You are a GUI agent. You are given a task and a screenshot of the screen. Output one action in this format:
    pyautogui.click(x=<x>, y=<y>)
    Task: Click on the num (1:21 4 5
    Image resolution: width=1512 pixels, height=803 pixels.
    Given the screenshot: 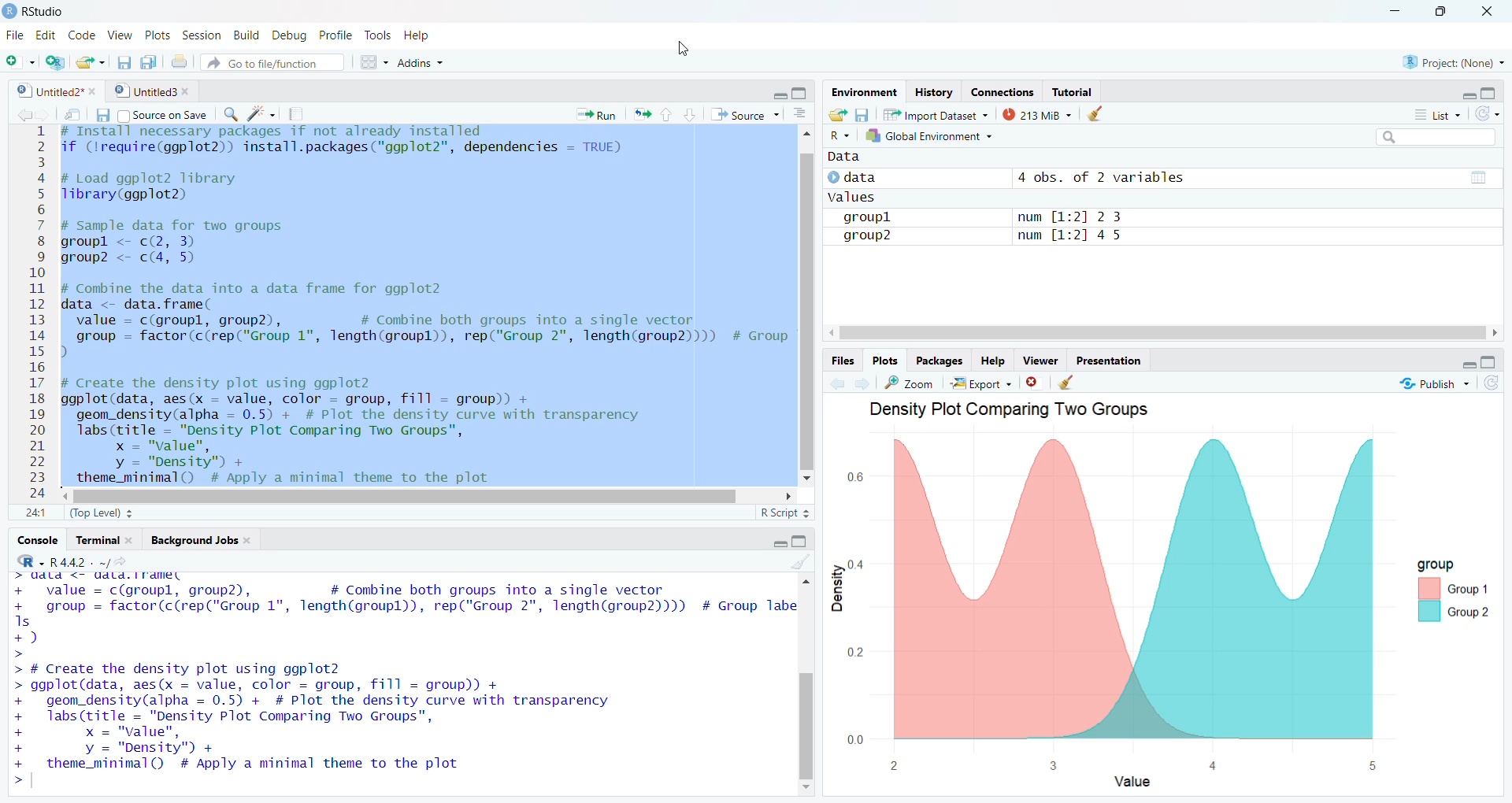 What is the action you would take?
    pyautogui.click(x=1074, y=239)
    